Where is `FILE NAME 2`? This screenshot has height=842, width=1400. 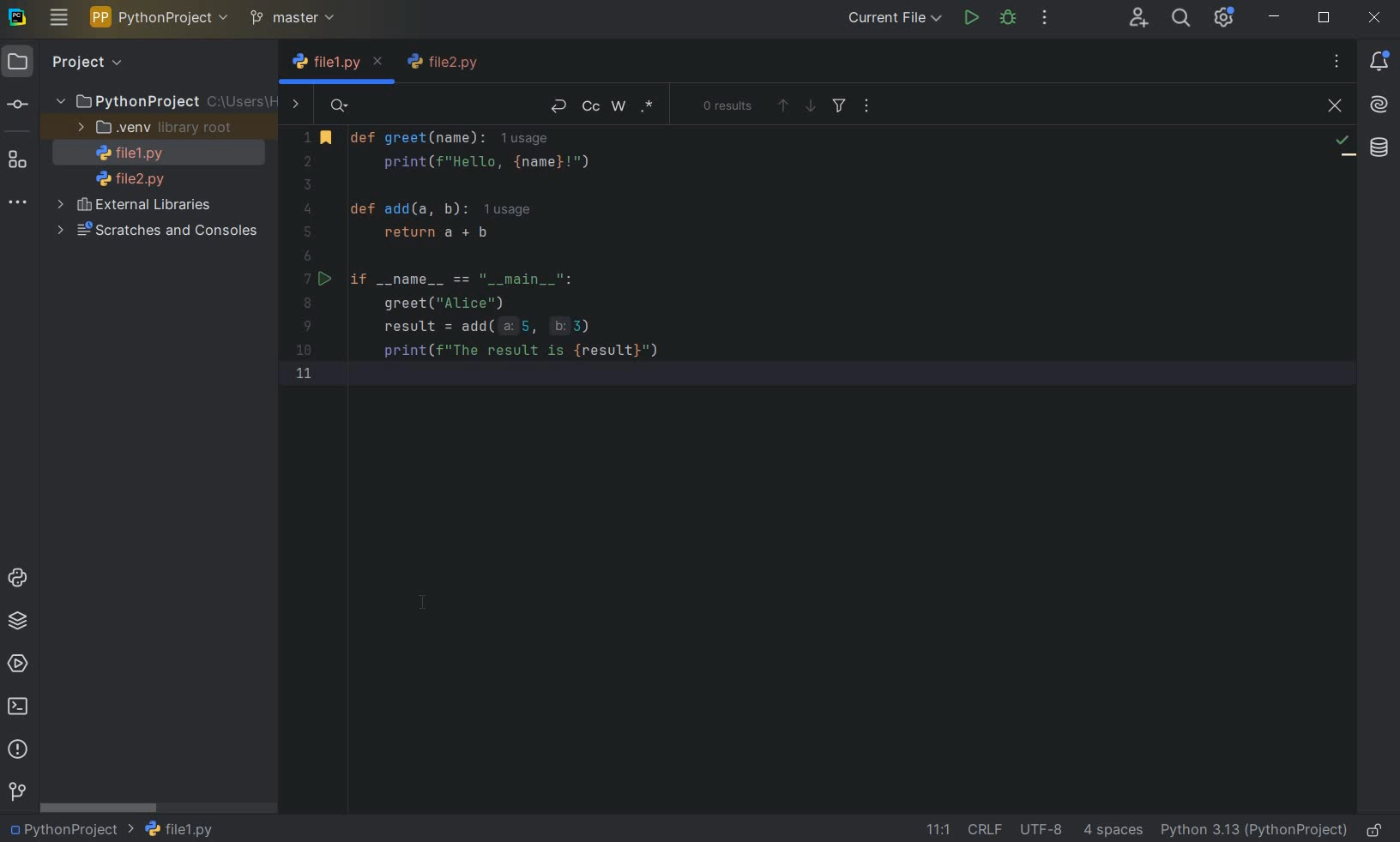 FILE NAME 2 is located at coordinates (122, 180).